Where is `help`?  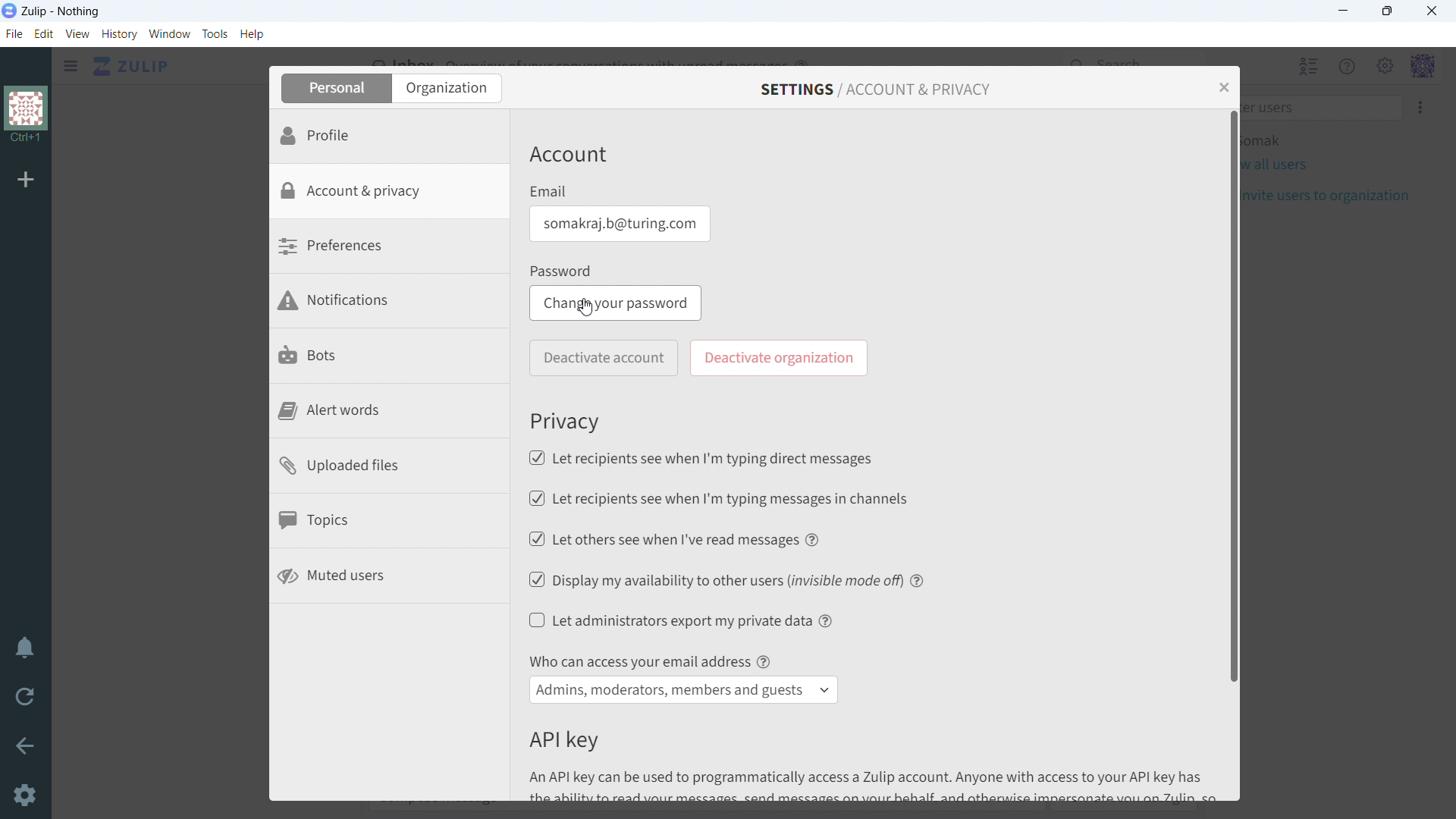
help is located at coordinates (827, 620).